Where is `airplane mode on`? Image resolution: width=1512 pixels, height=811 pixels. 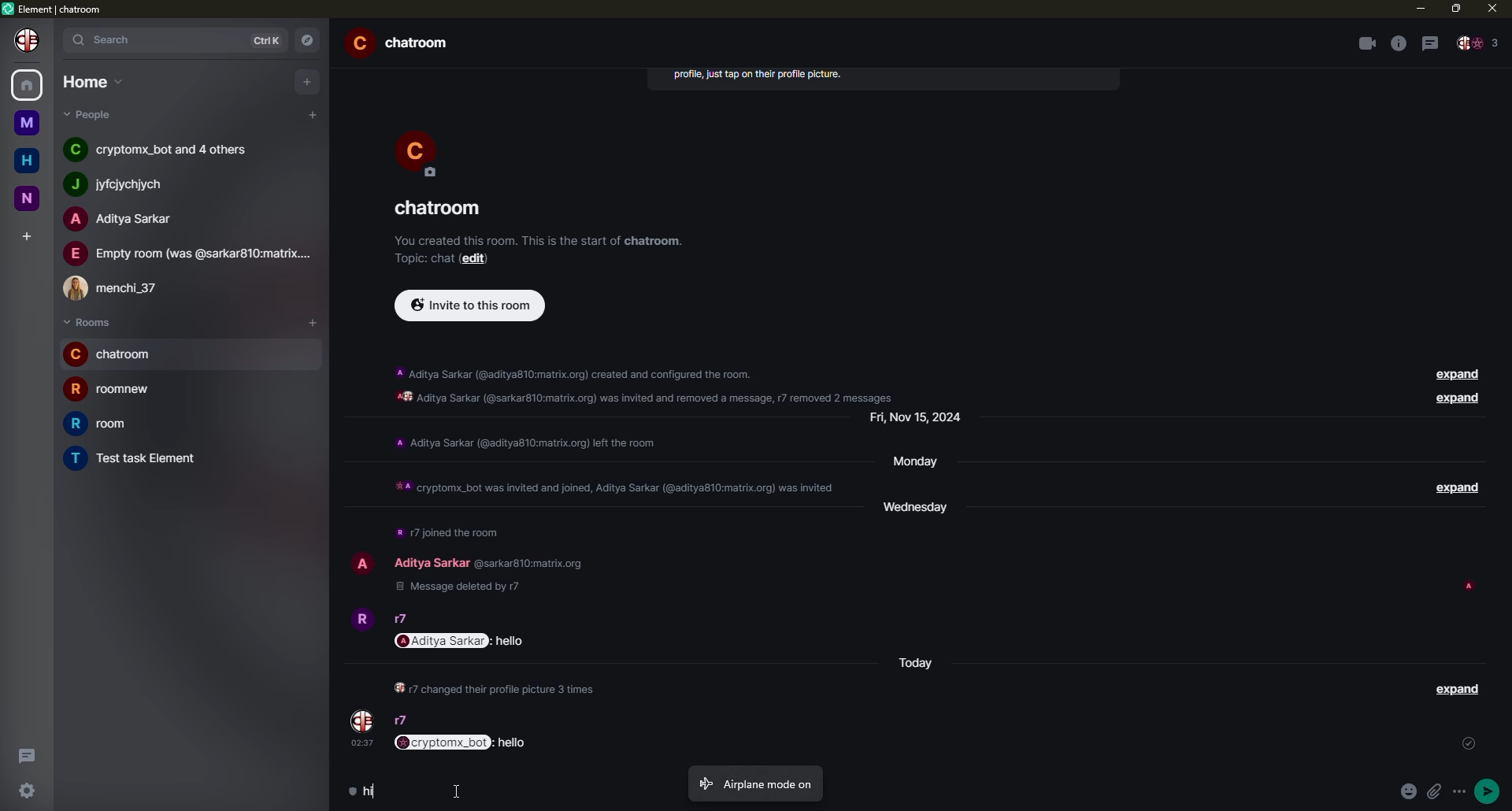
airplane mode on is located at coordinates (754, 783).